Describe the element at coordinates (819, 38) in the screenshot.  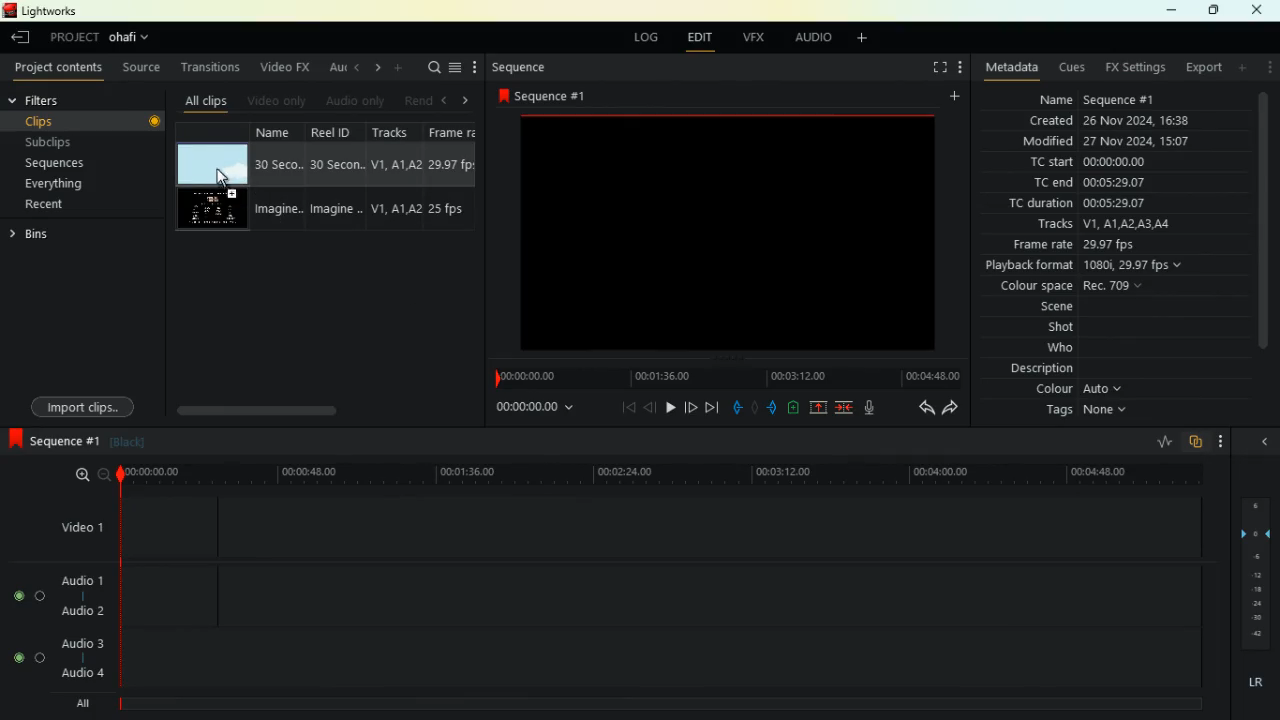
I see `audio` at that location.